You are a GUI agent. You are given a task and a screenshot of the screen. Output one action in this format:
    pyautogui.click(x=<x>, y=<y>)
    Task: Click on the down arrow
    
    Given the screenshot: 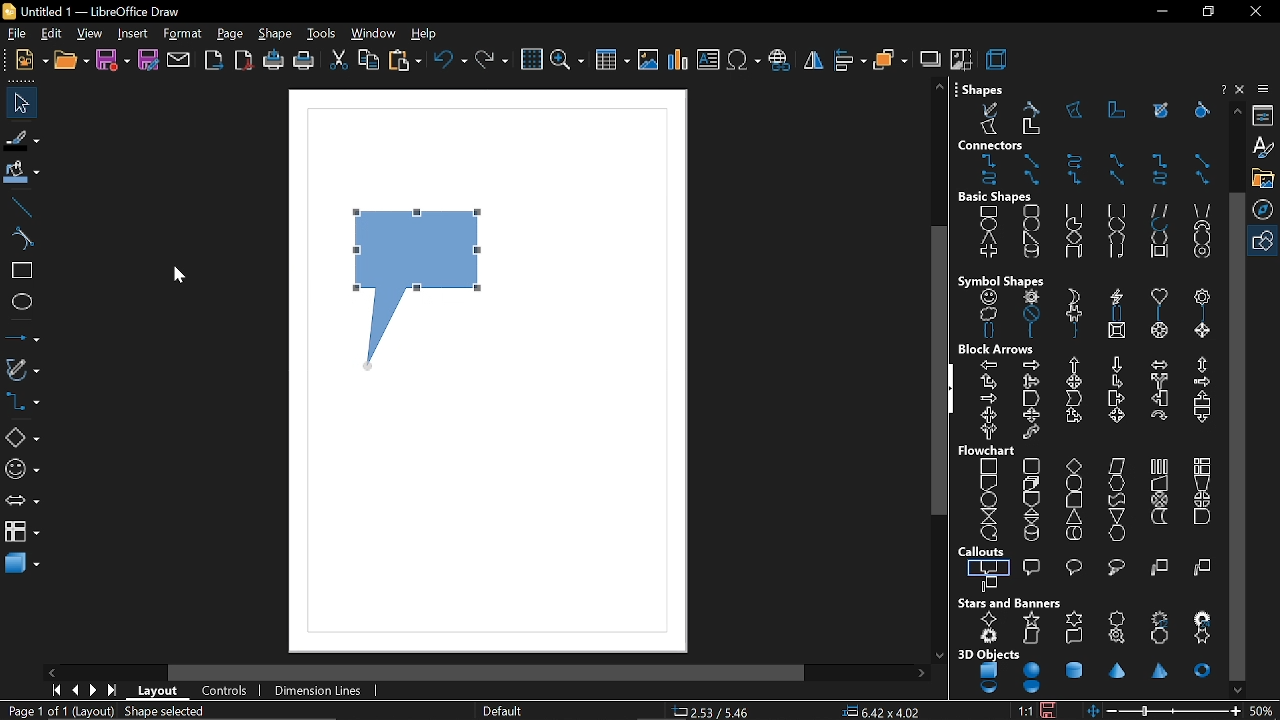 What is the action you would take?
    pyautogui.click(x=1115, y=365)
    